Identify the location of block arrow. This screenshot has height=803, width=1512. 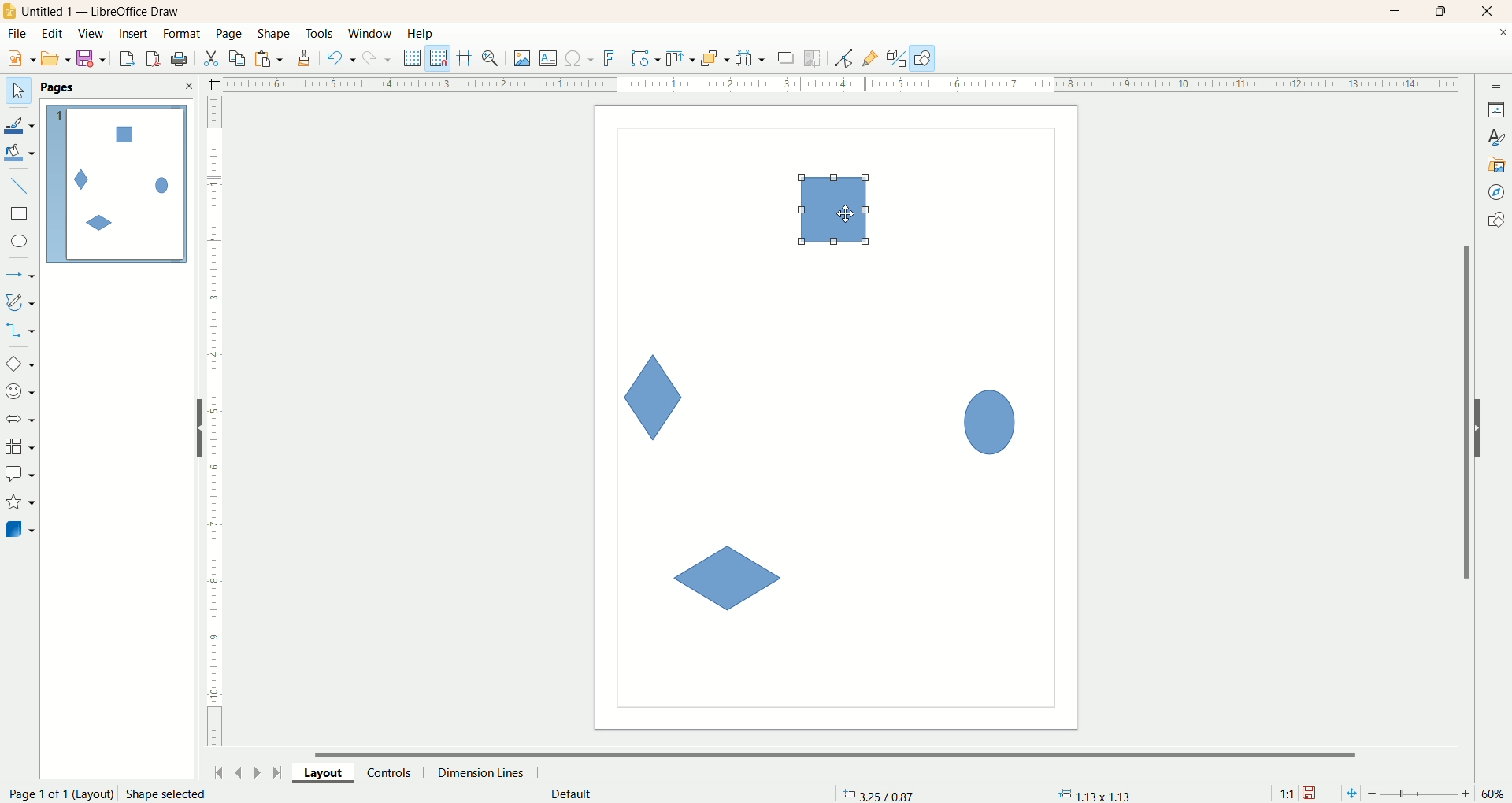
(23, 420).